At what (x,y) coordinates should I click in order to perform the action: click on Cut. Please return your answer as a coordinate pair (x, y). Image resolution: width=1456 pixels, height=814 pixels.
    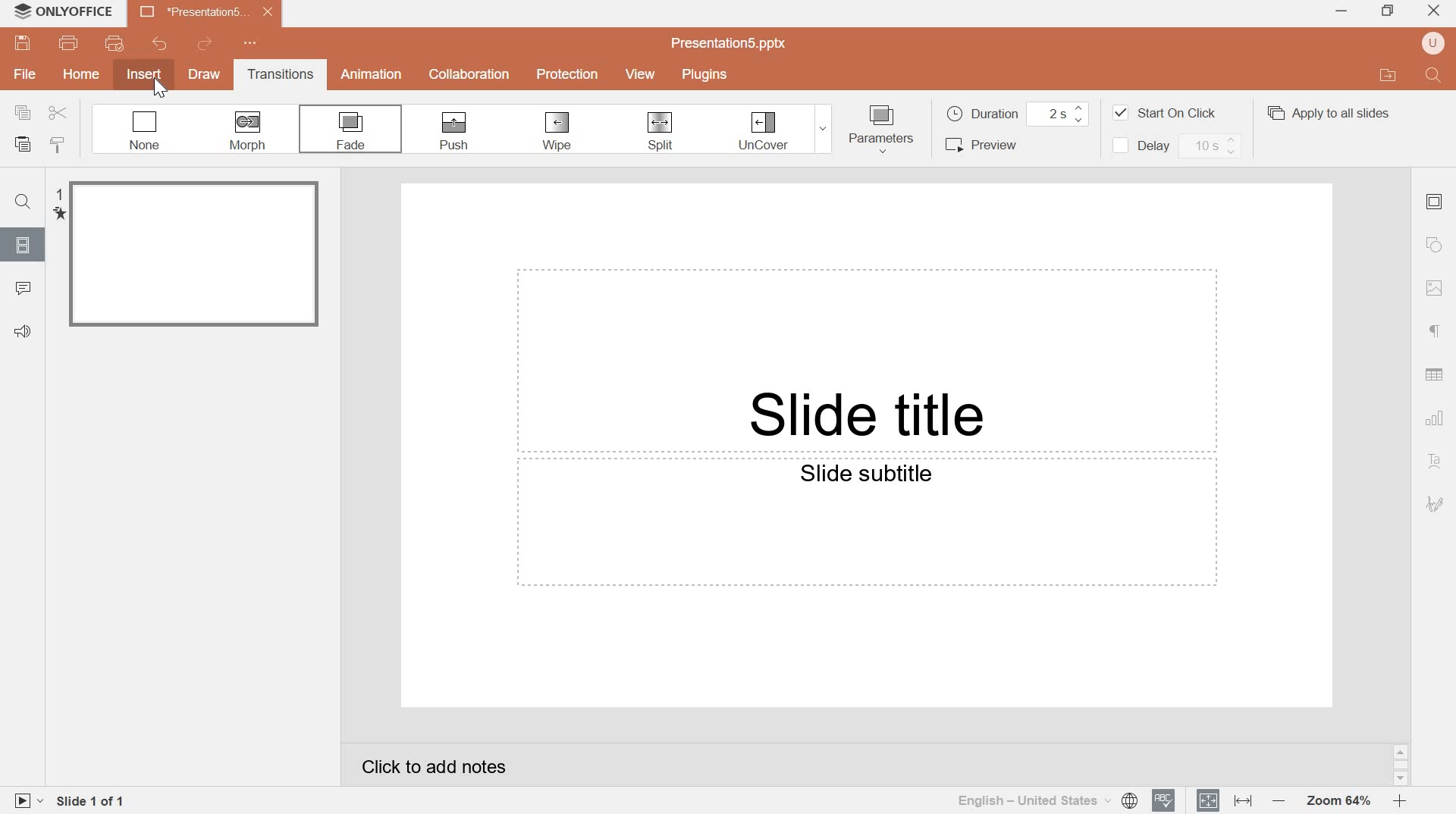
    Looking at the image, I should click on (57, 114).